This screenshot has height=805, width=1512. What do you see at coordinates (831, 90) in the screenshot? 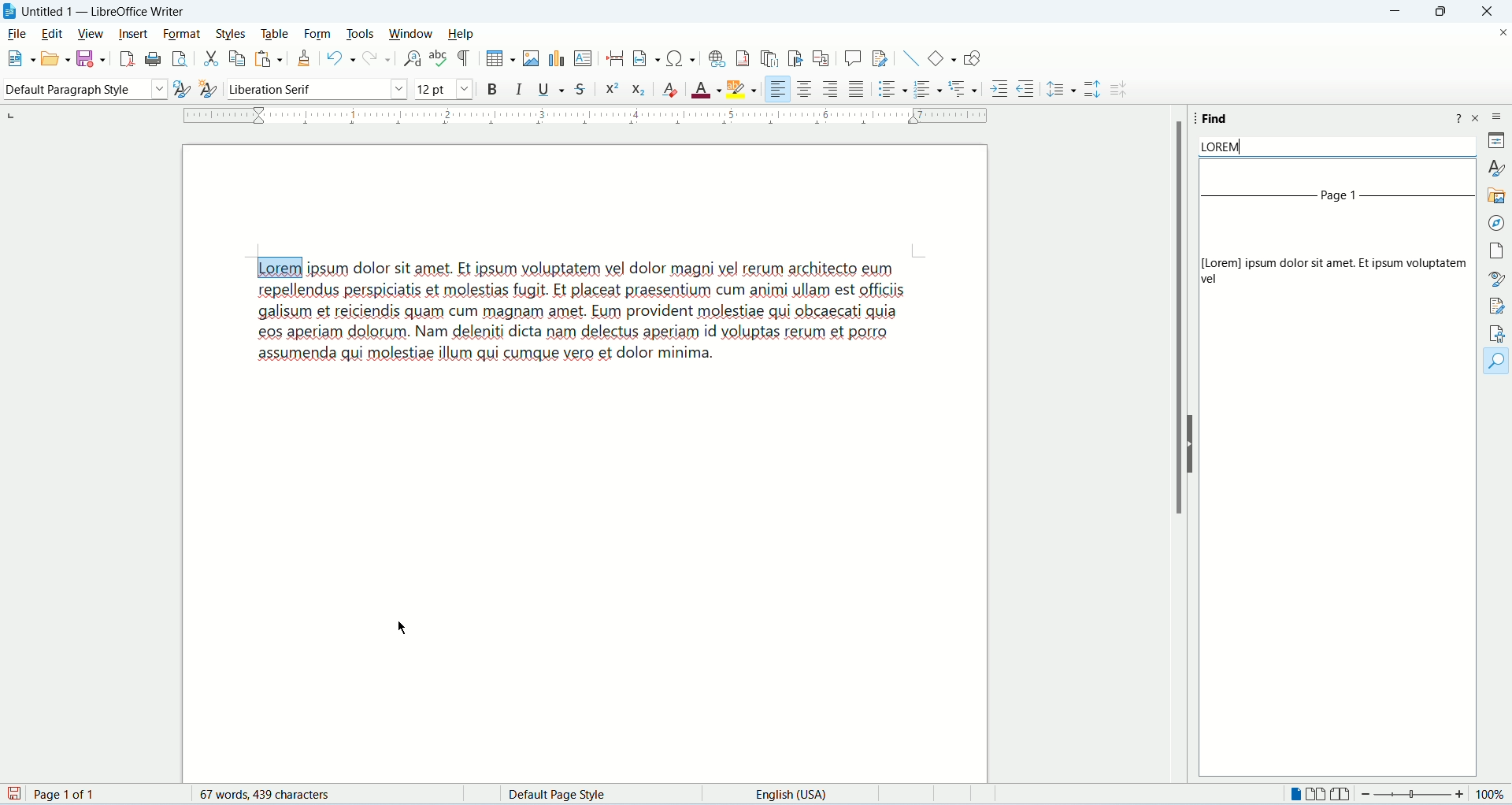
I see `align right` at bounding box center [831, 90].